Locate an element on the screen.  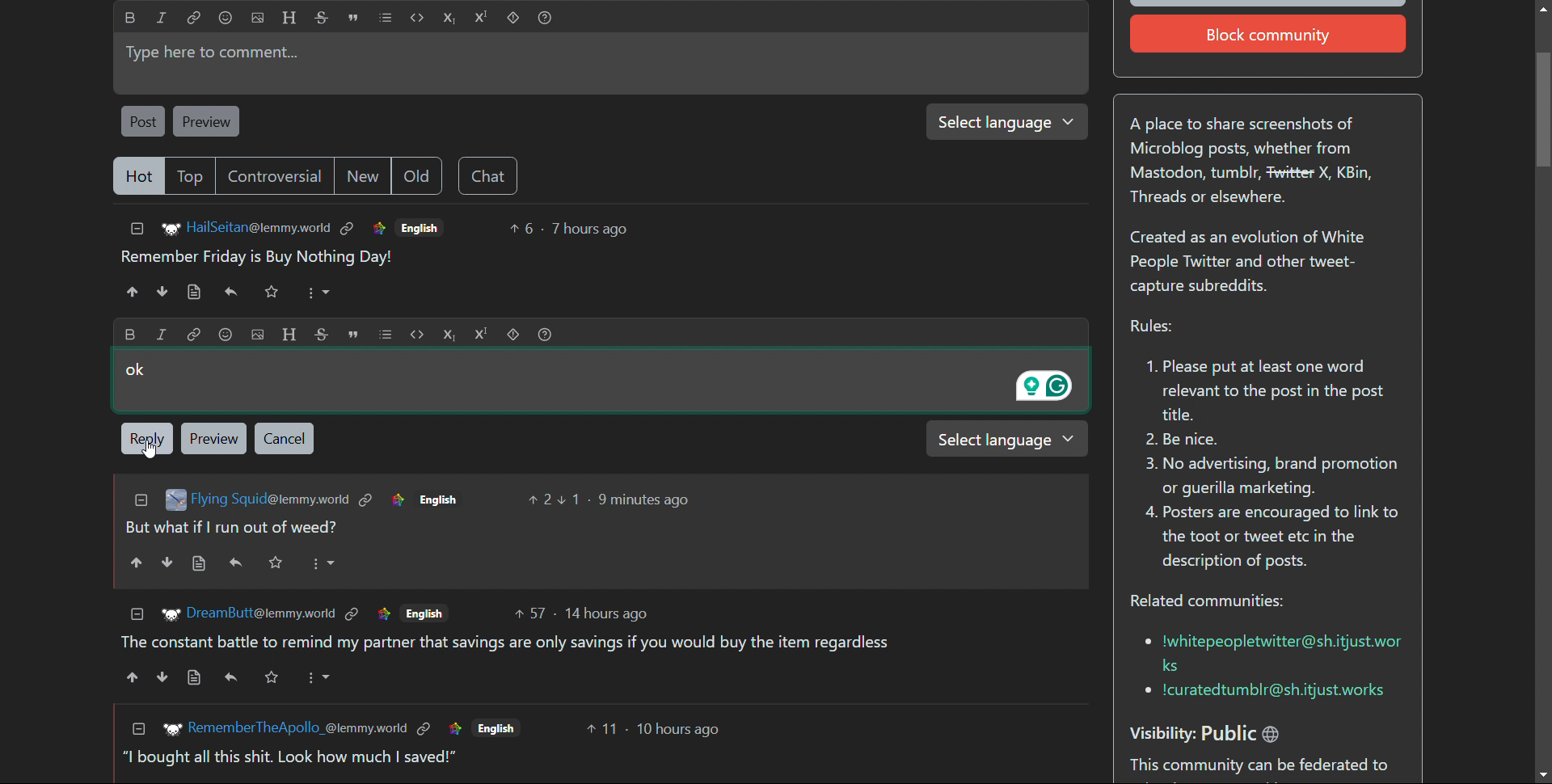
username is located at coordinates (294, 727).